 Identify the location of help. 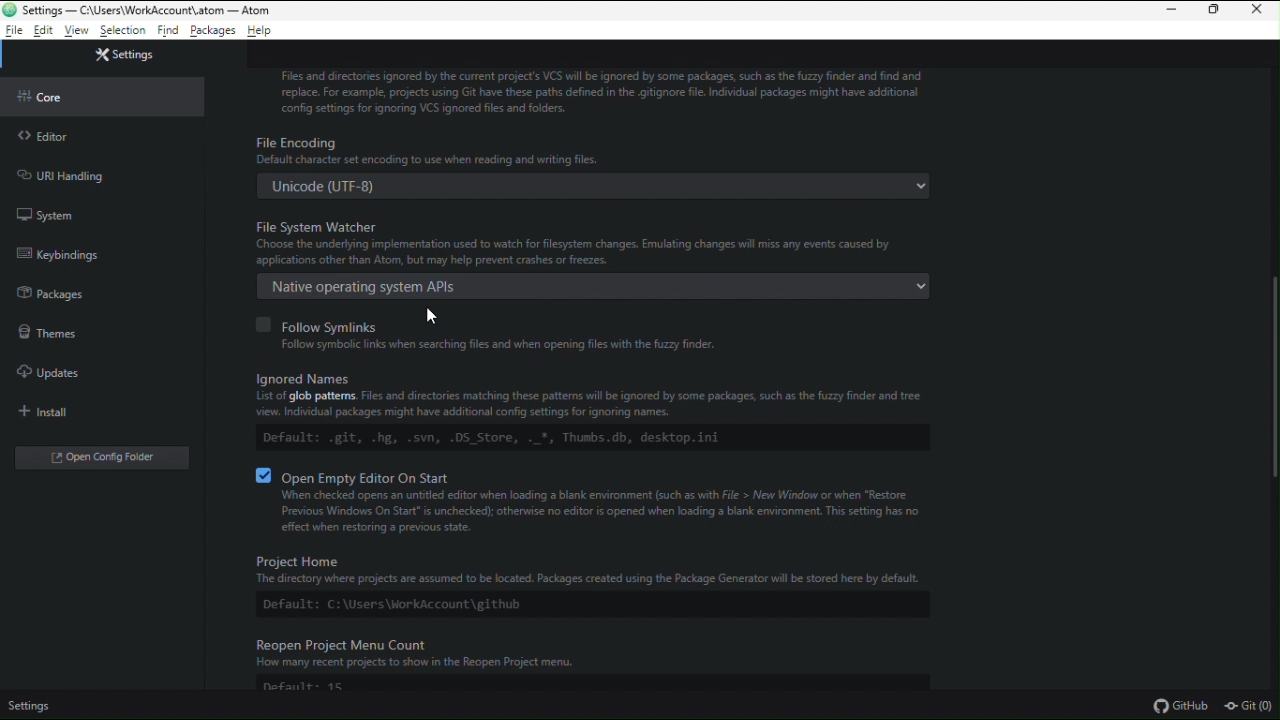
(262, 31).